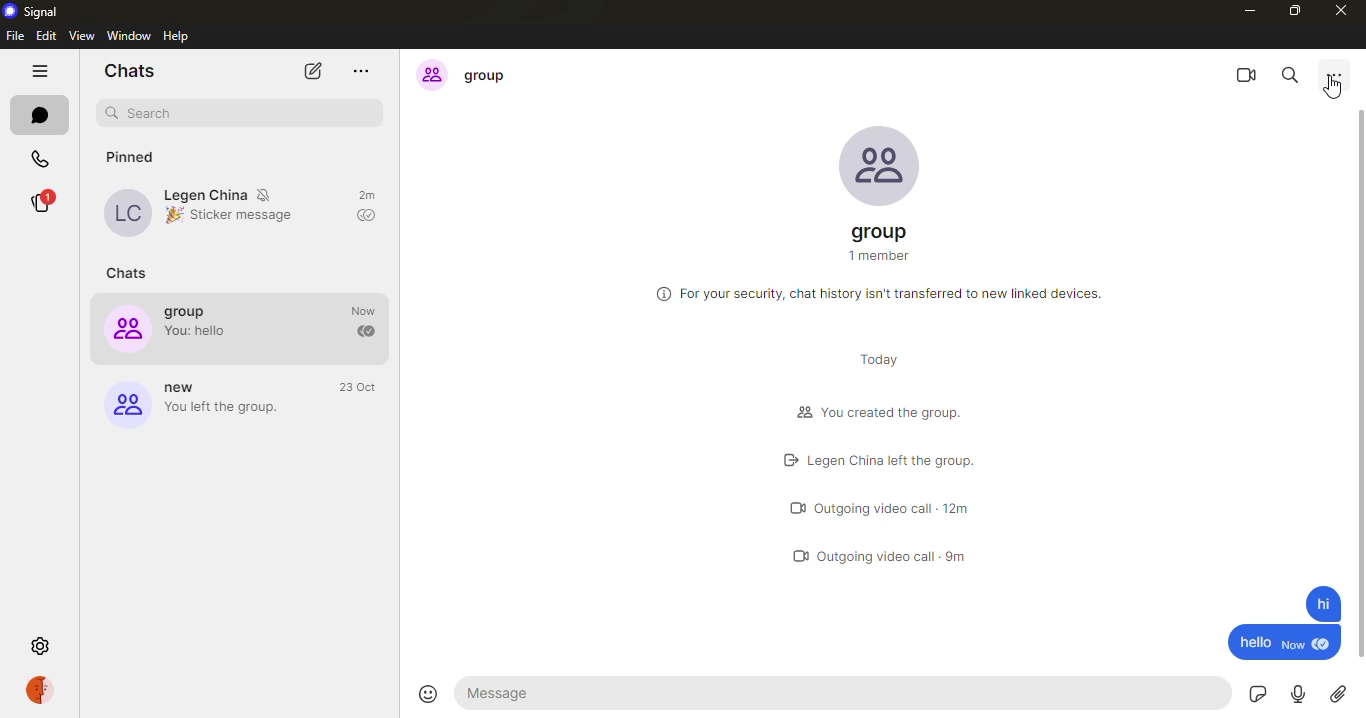  Describe the element at coordinates (246, 111) in the screenshot. I see `search` at that location.